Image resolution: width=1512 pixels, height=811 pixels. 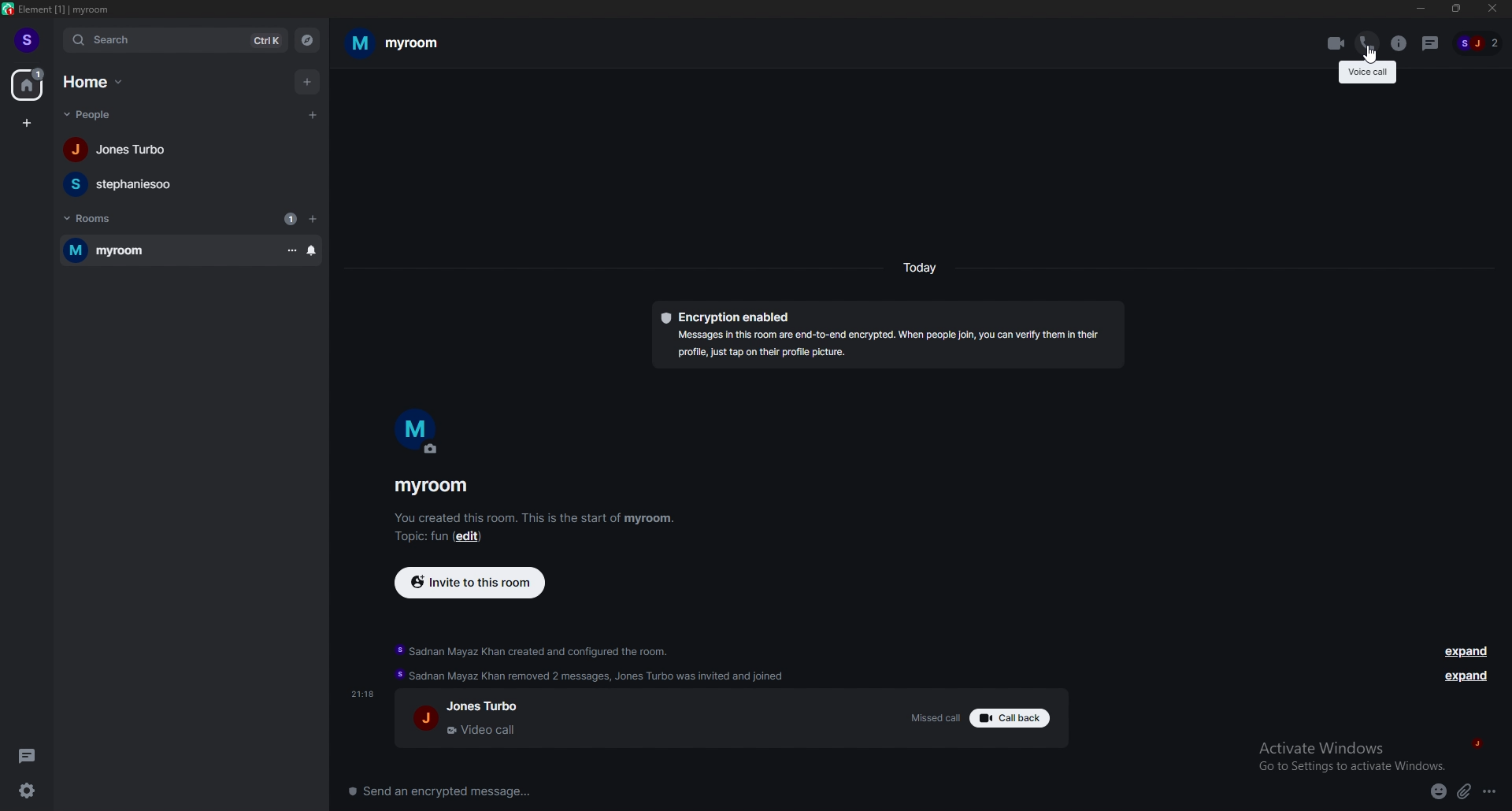 What do you see at coordinates (1466, 676) in the screenshot?
I see `expand` at bounding box center [1466, 676].